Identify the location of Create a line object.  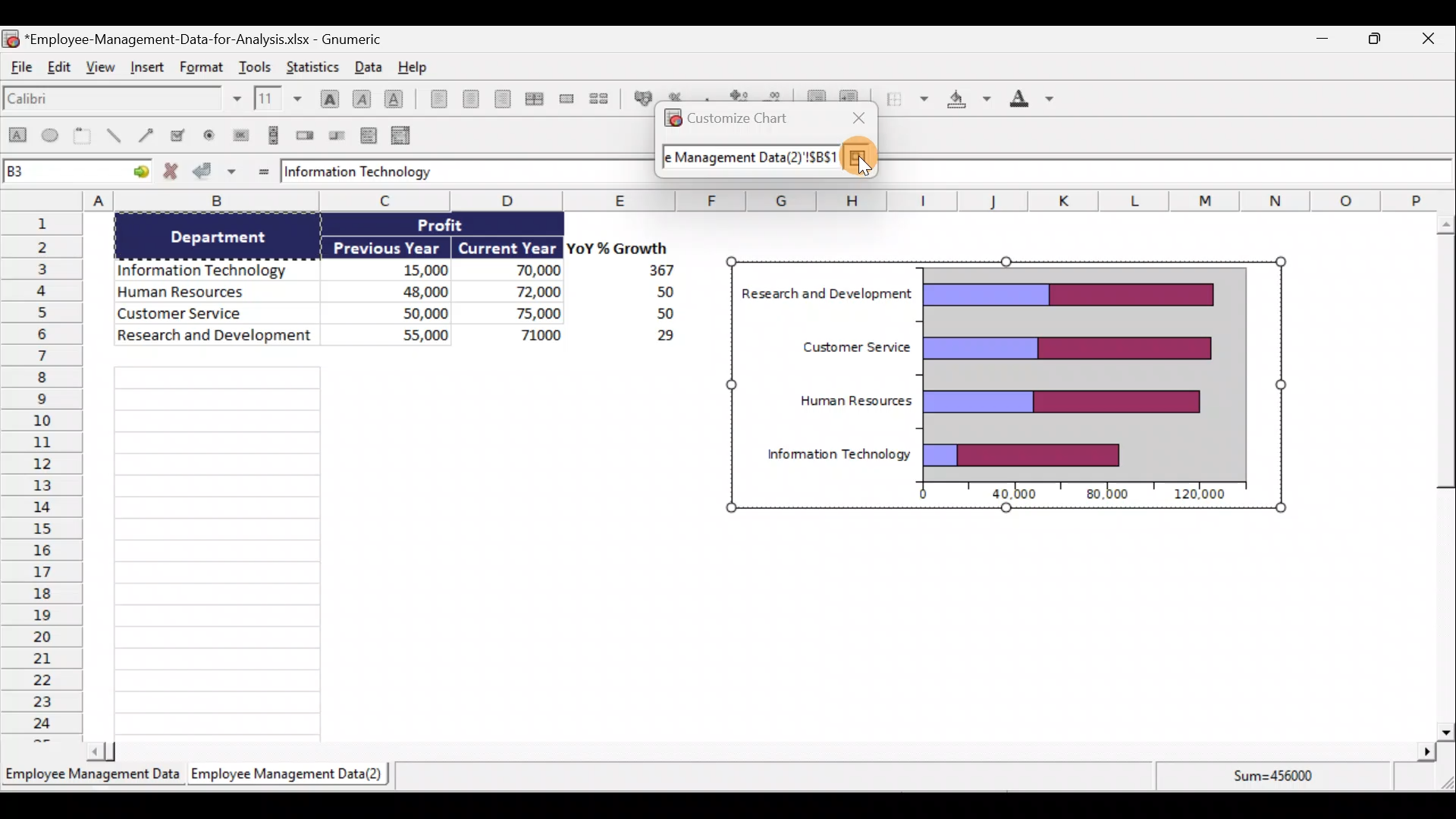
(113, 137).